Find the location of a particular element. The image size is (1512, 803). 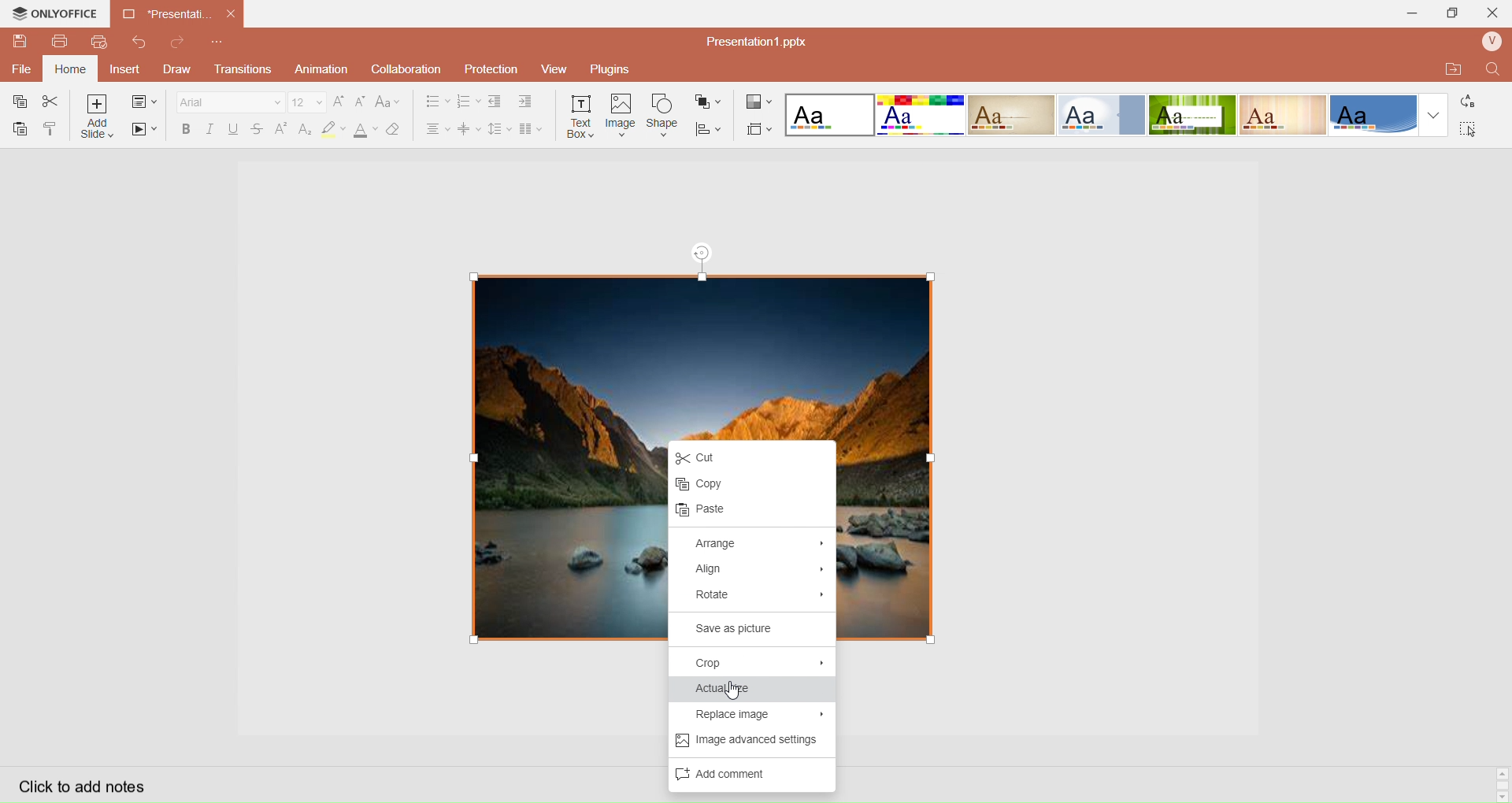

QuickSave is located at coordinates (21, 41).